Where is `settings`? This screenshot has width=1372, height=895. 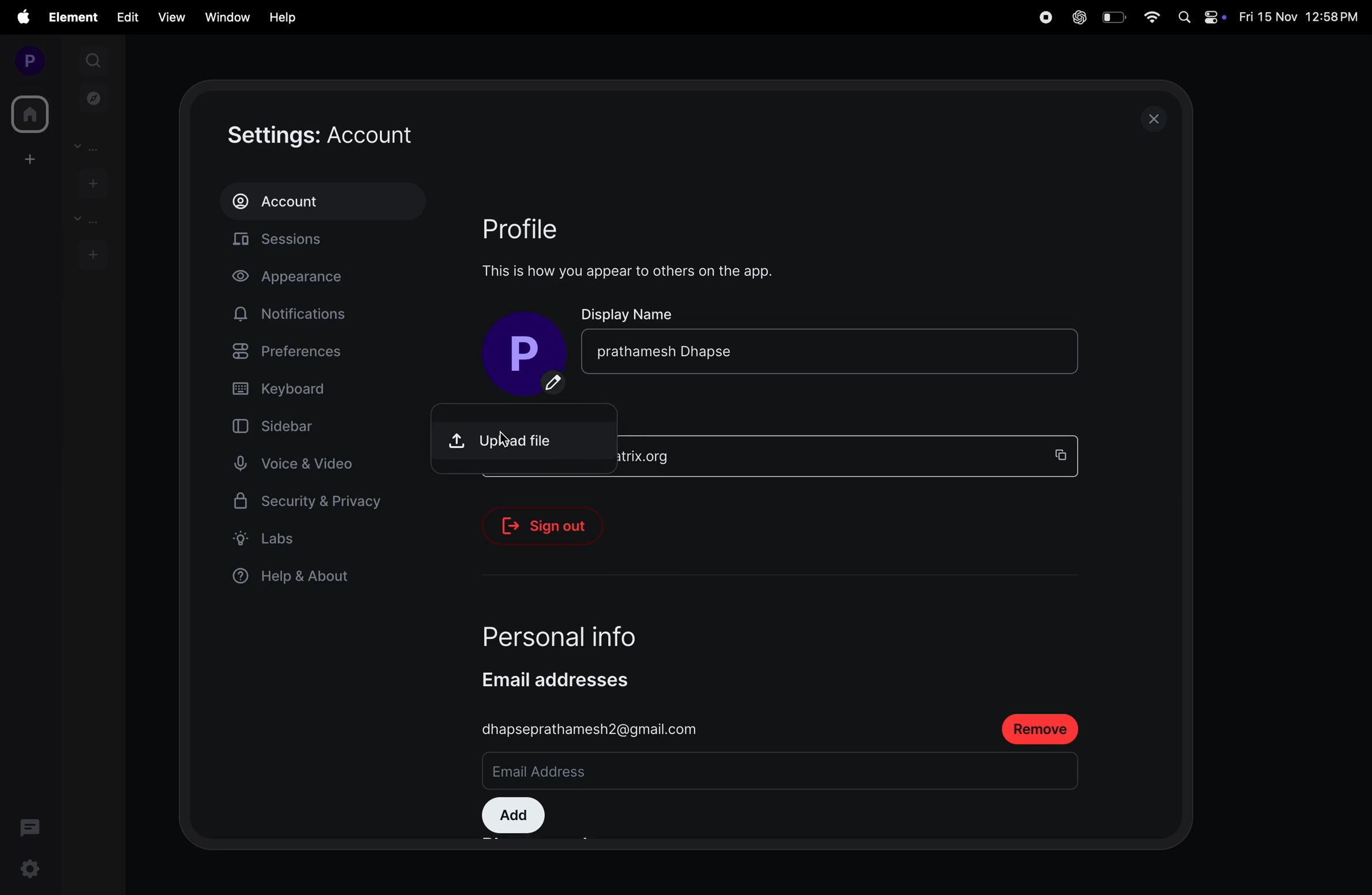 settings is located at coordinates (28, 871).